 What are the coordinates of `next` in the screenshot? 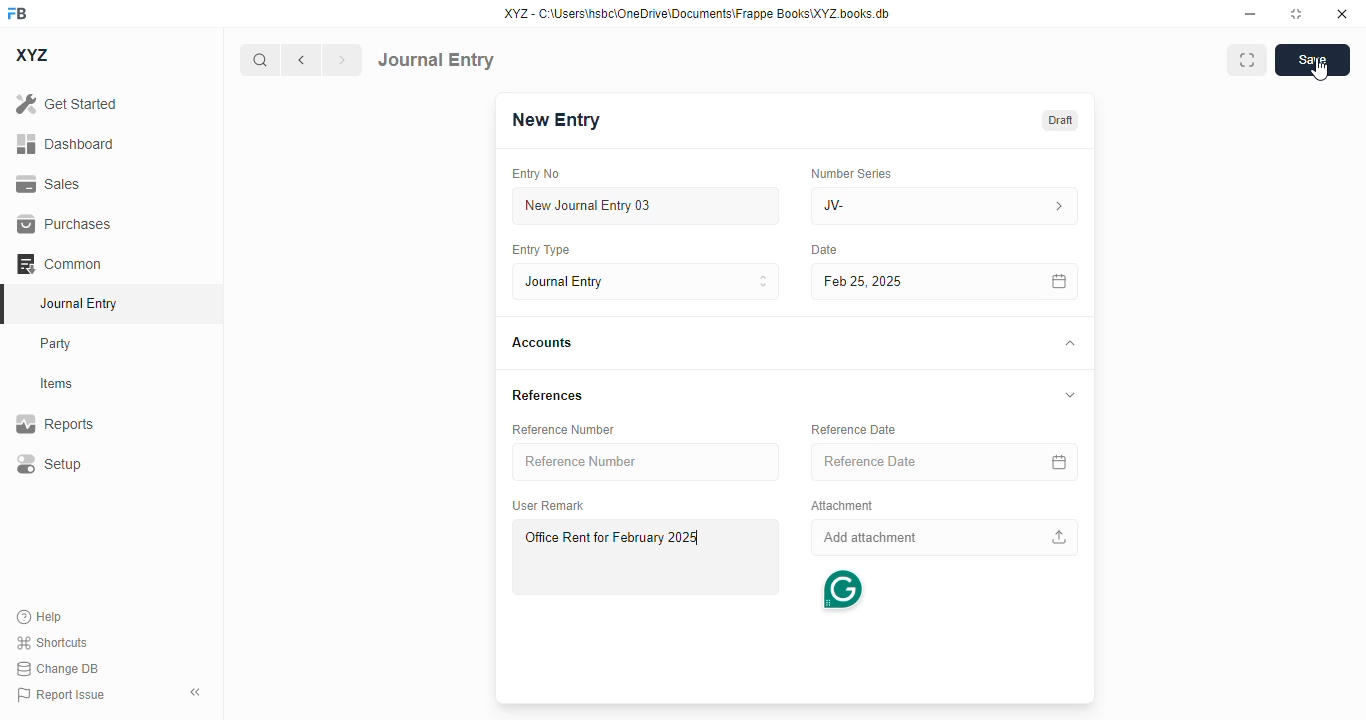 It's located at (343, 60).